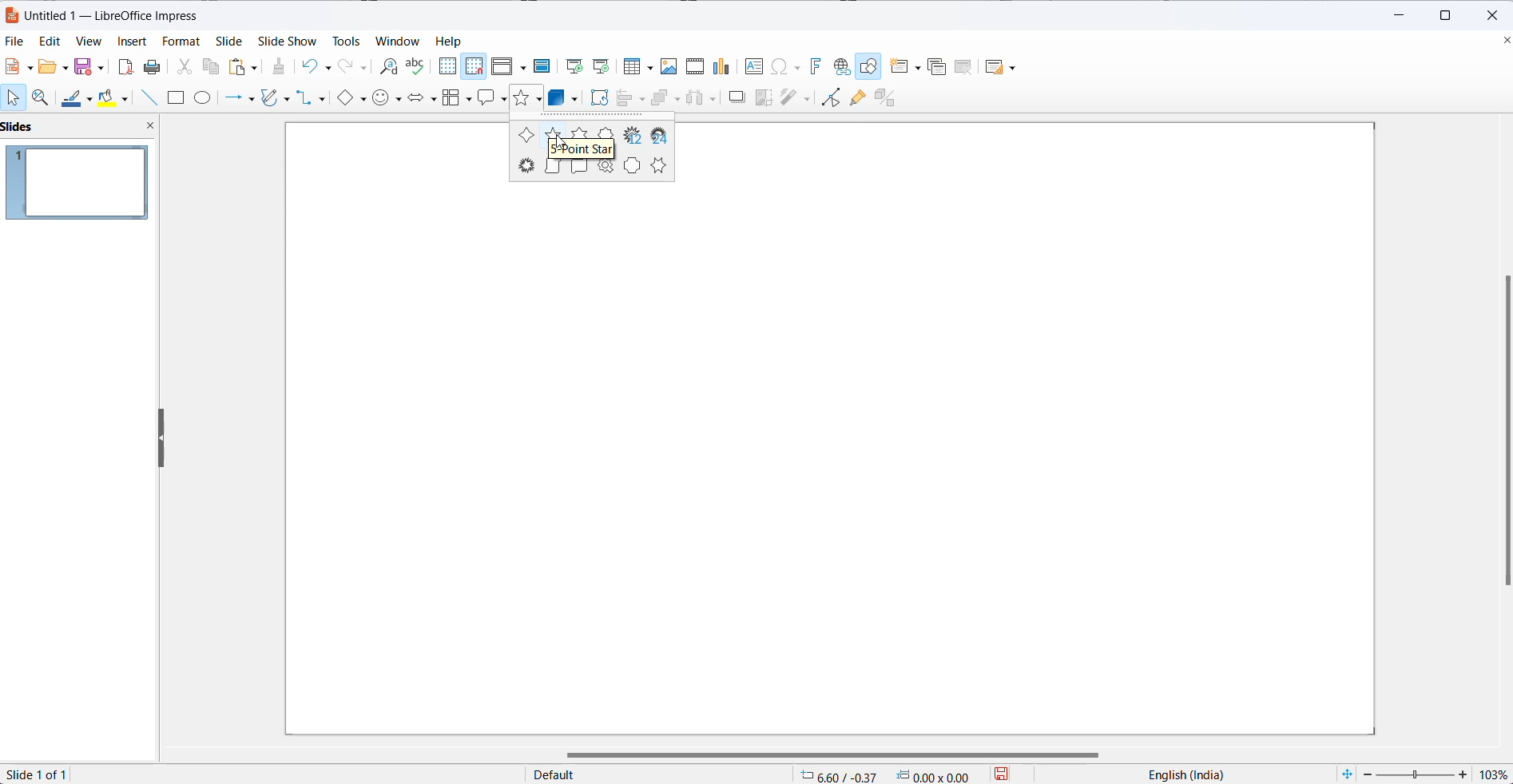 This screenshot has width=1513, height=784. What do you see at coordinates (510, 65) in the screenshot?
I see `display views` at bounding box center [510, 65].